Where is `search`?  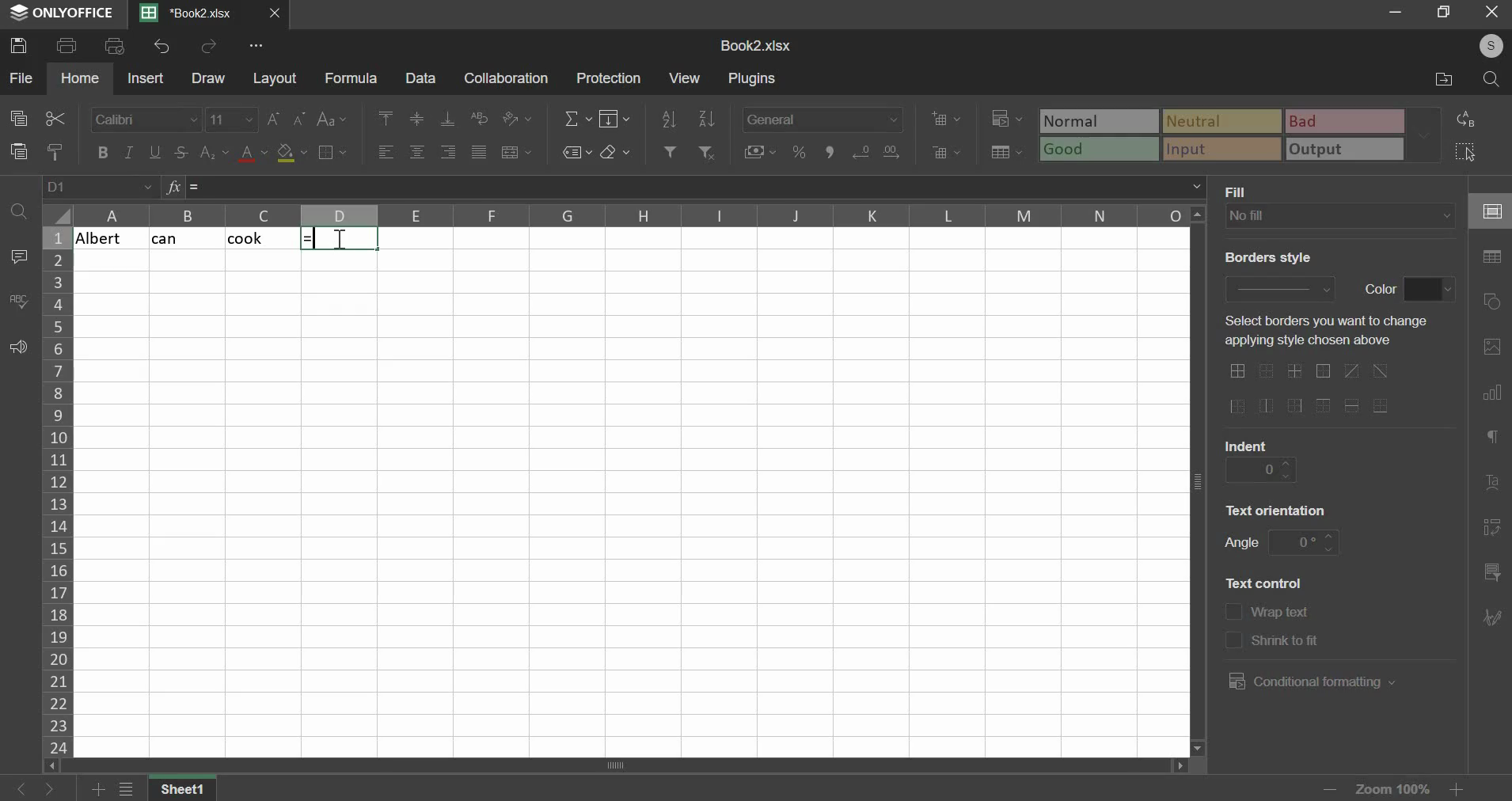 search is located at coordinates (1494, 79).